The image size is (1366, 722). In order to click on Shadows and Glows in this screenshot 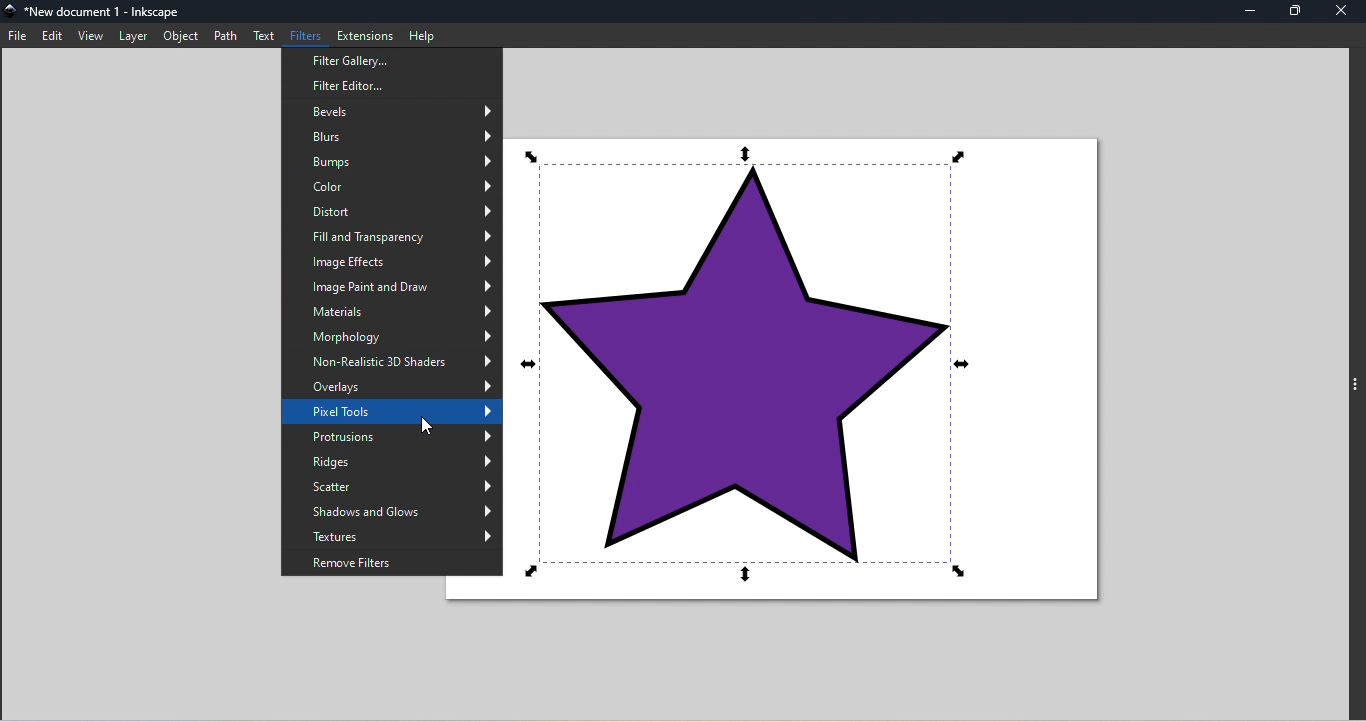, I will do `click(388, 511)`.